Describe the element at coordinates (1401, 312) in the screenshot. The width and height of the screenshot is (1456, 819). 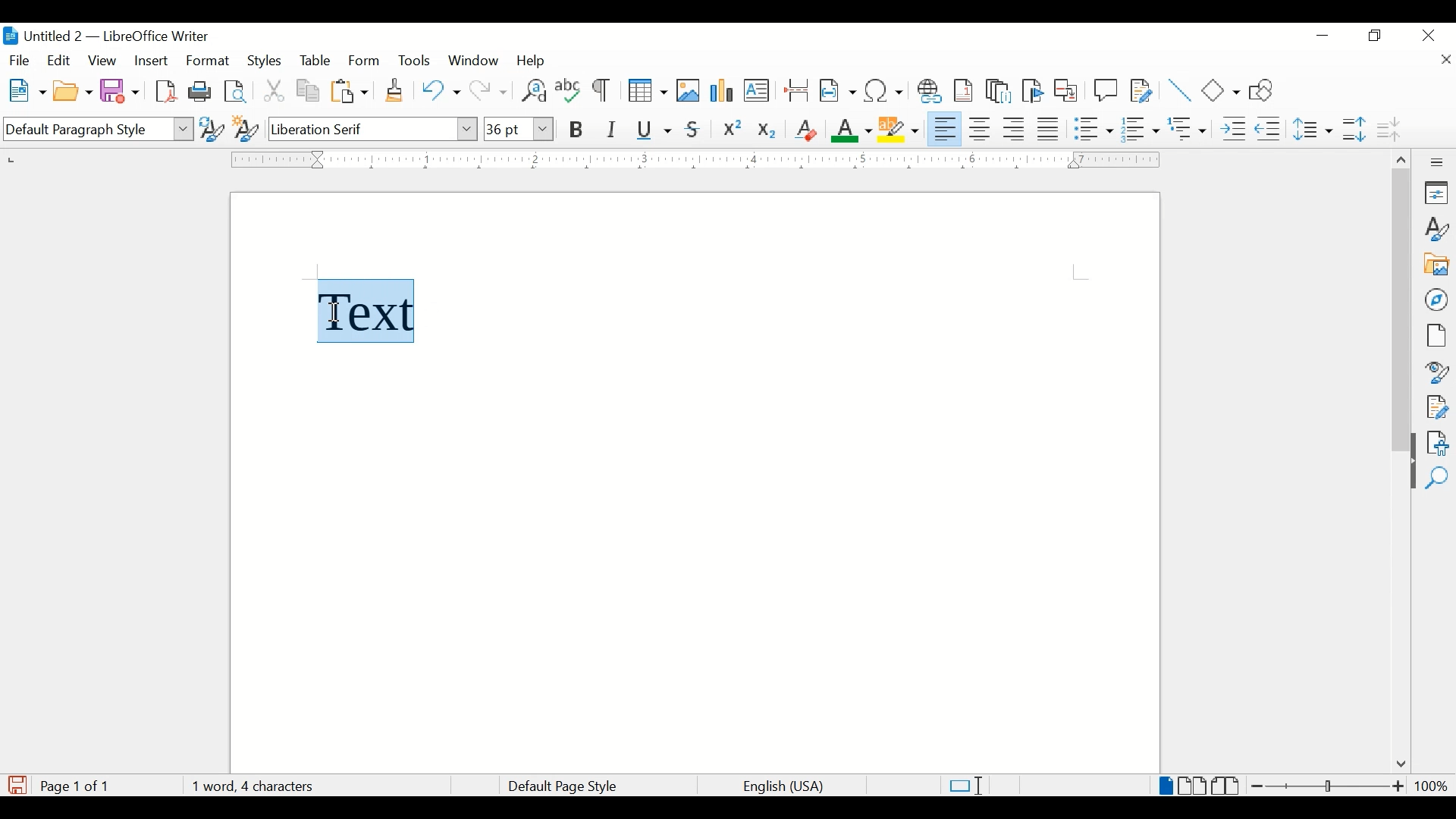
I see `scroll box` at that location.